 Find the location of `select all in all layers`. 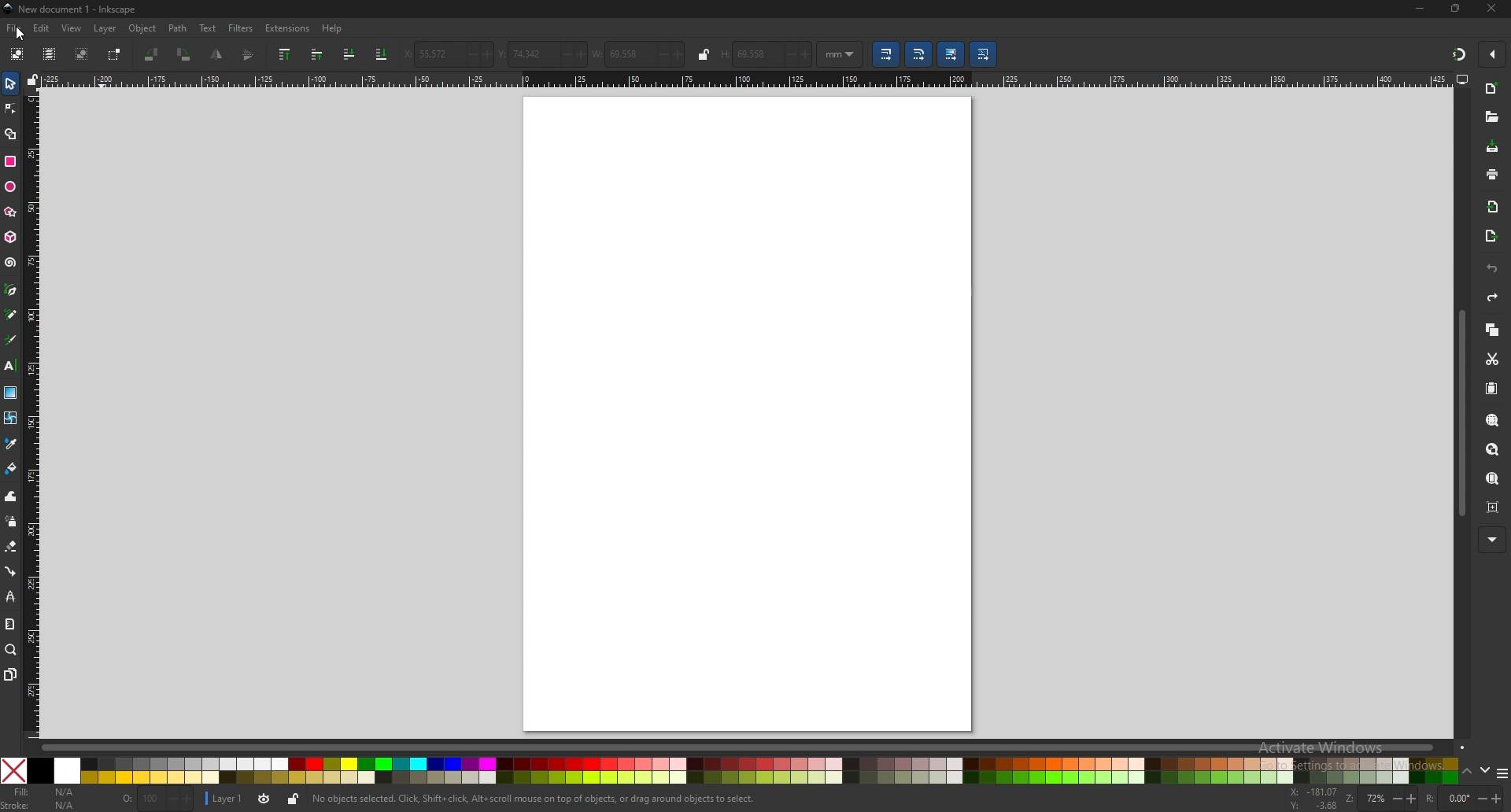

select all in all layers is located at coordinates (49, 54).